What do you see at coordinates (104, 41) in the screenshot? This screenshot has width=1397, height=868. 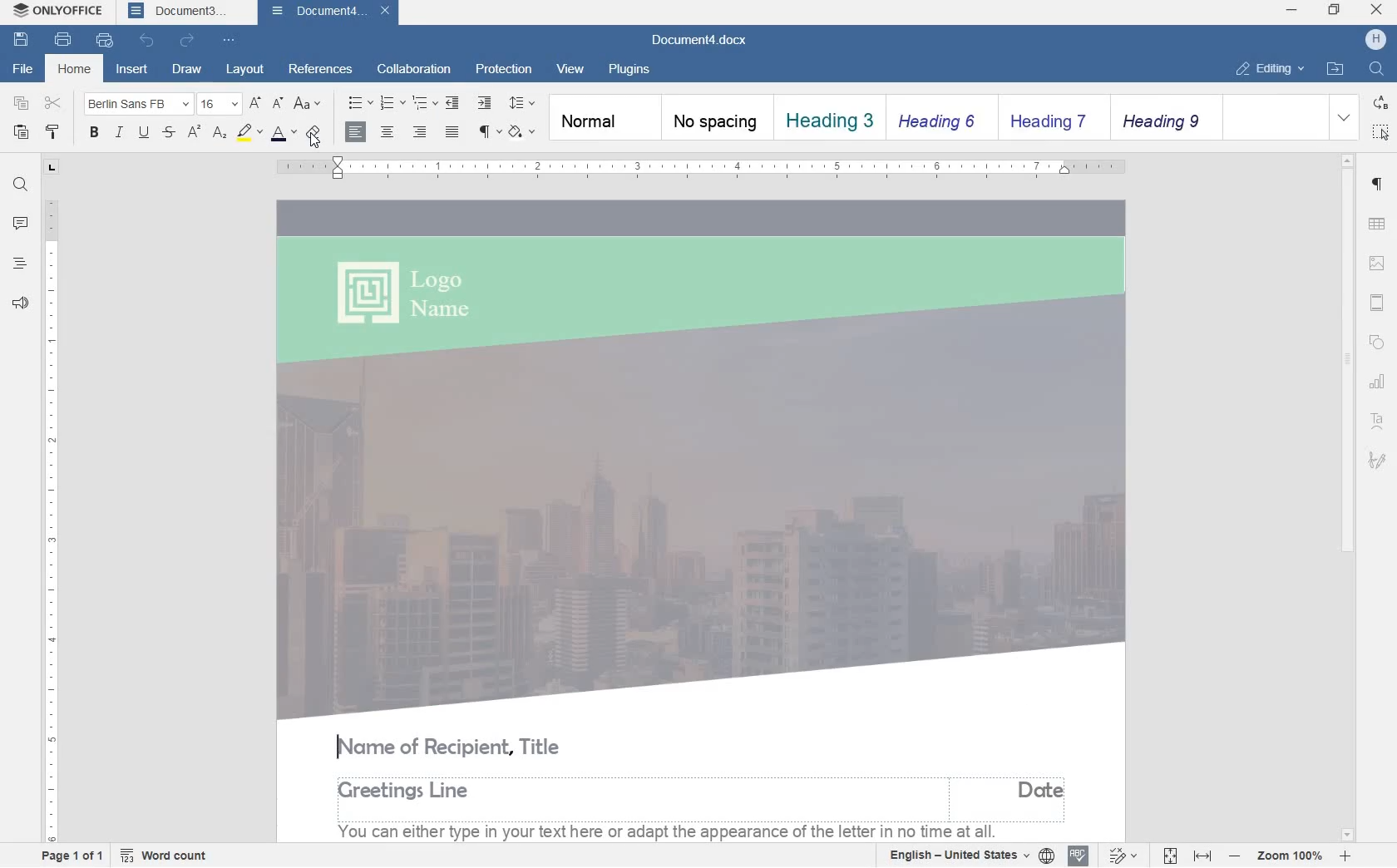 I see `quick print` at bounding box center [104, 41].